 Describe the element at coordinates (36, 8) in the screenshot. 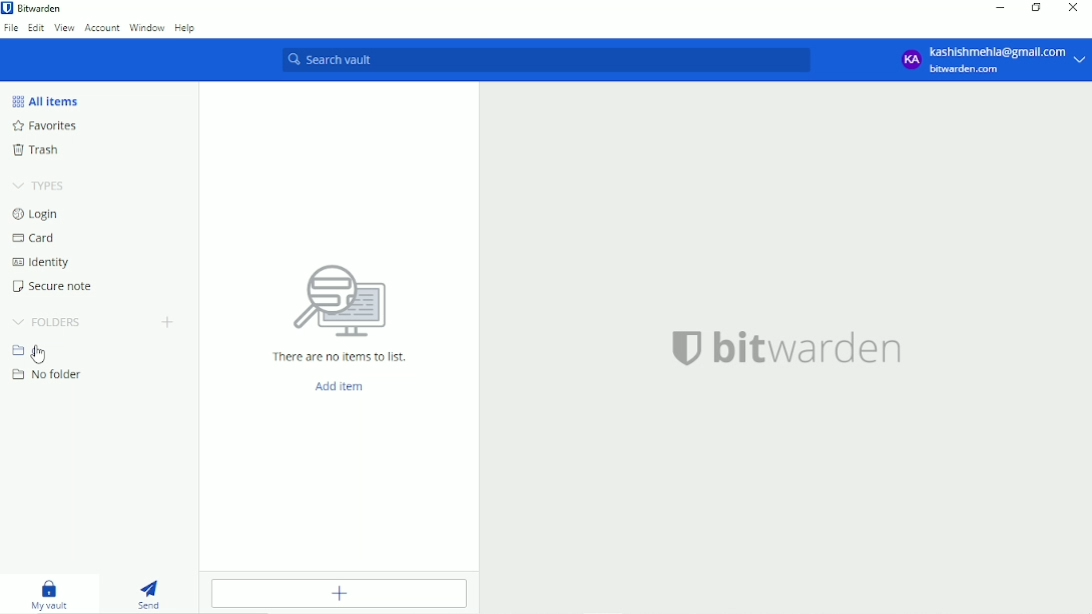

I see `Bitwarden` at that location.